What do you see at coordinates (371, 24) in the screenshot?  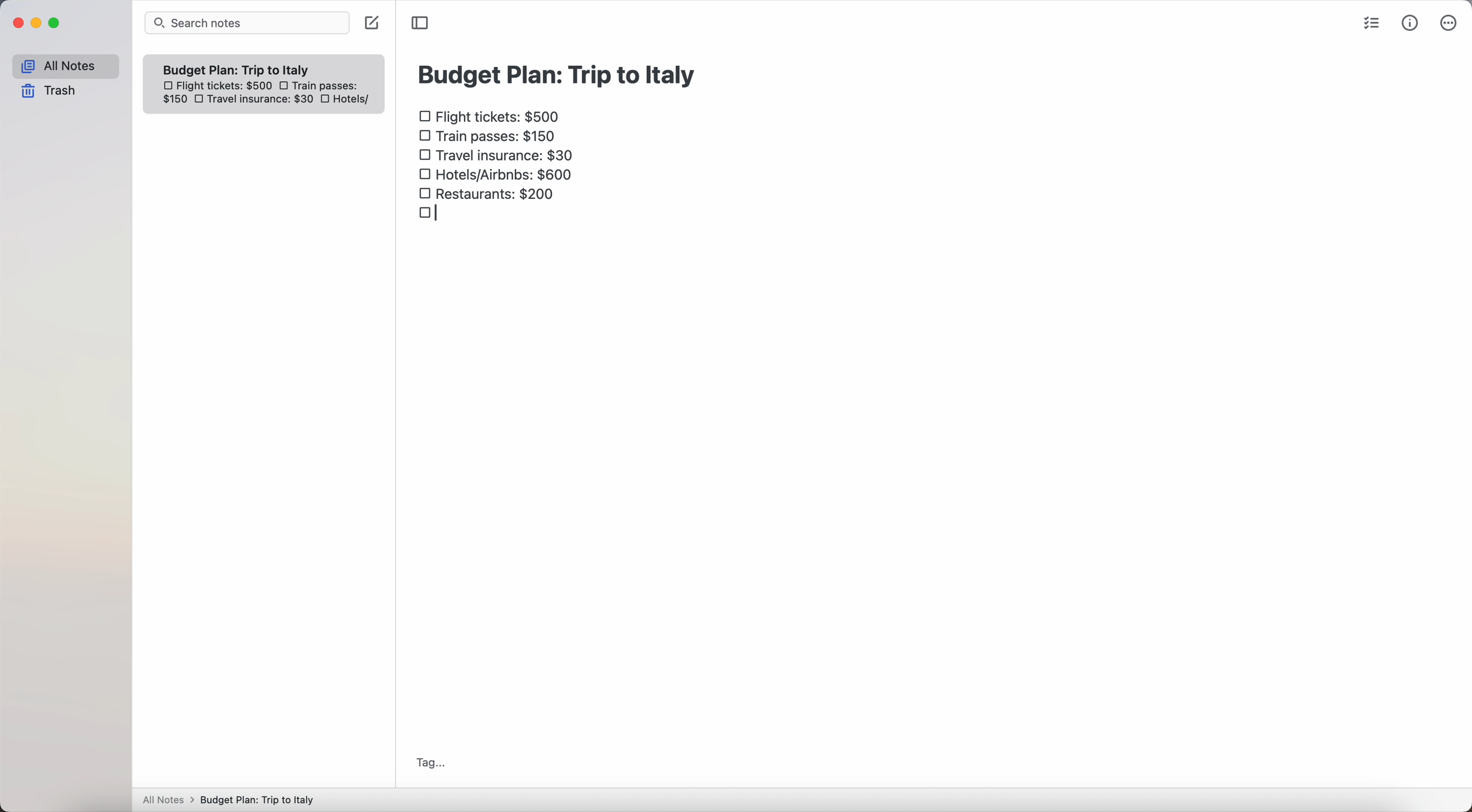 I see `create note` at bounding box center [371, 24].